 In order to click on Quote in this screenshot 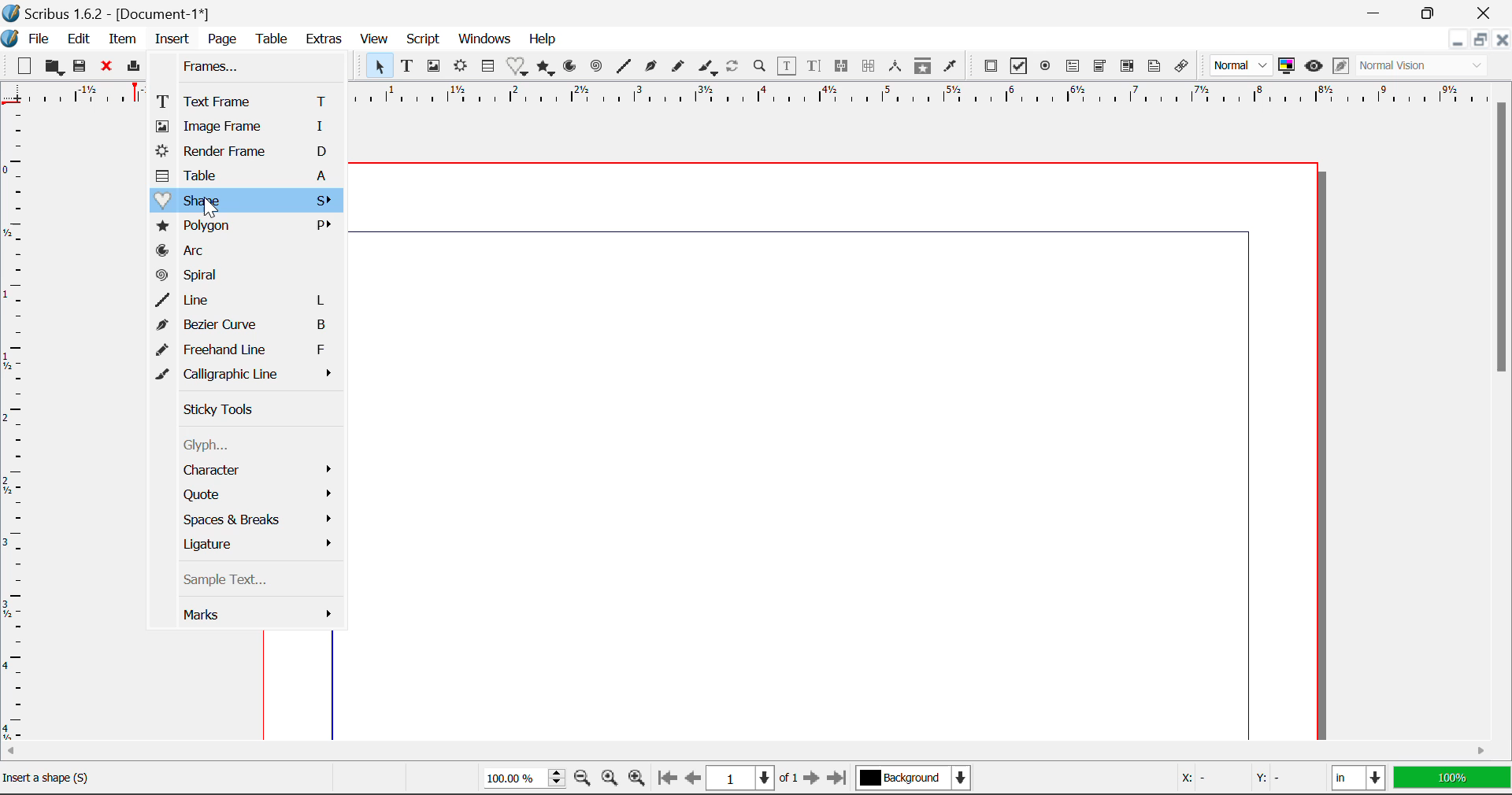, I will do `click(251, 494)`.